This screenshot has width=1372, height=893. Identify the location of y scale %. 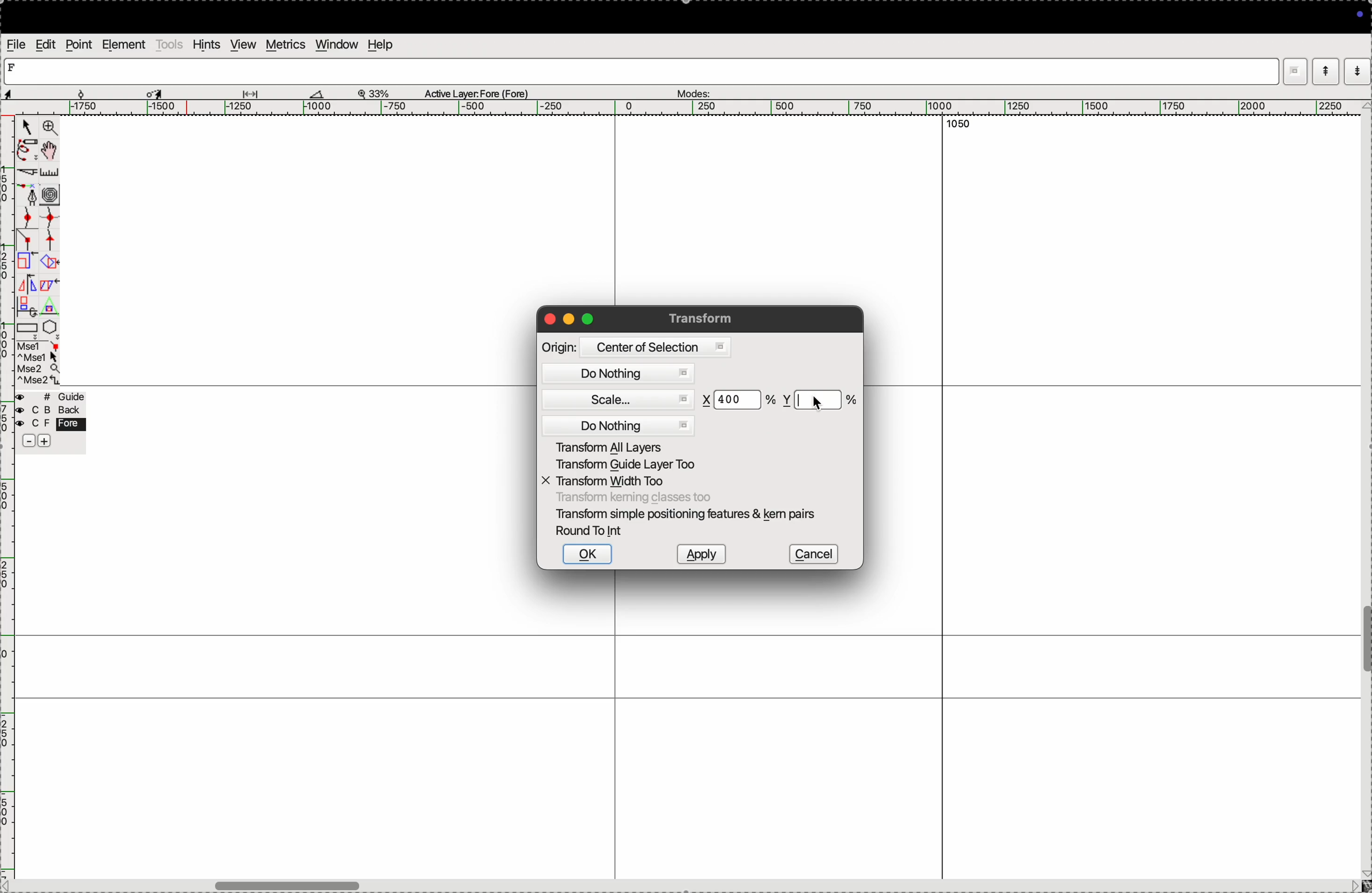
(820, 400).